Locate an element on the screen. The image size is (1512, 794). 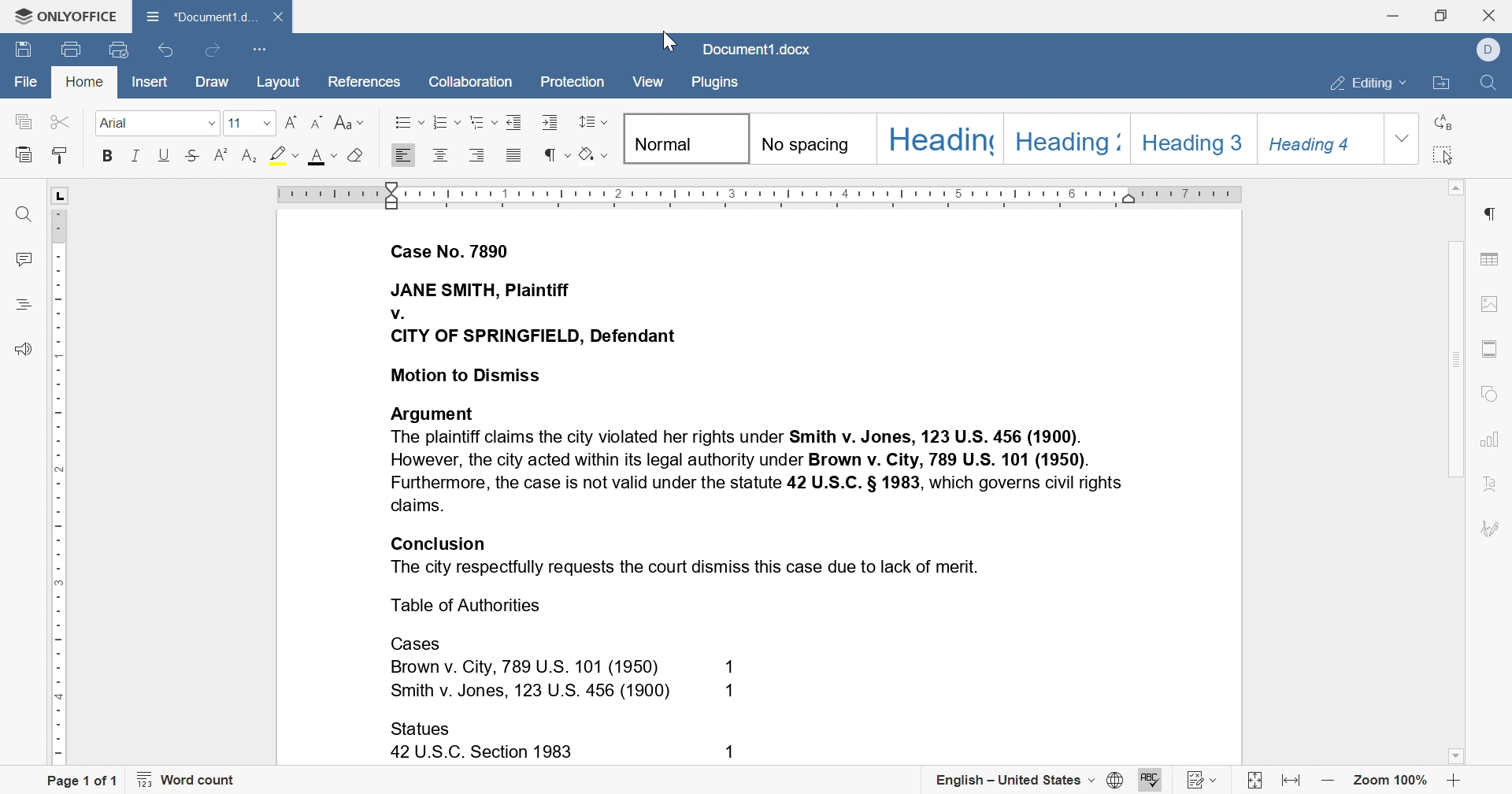
word count is located at coordinates (187, 777).